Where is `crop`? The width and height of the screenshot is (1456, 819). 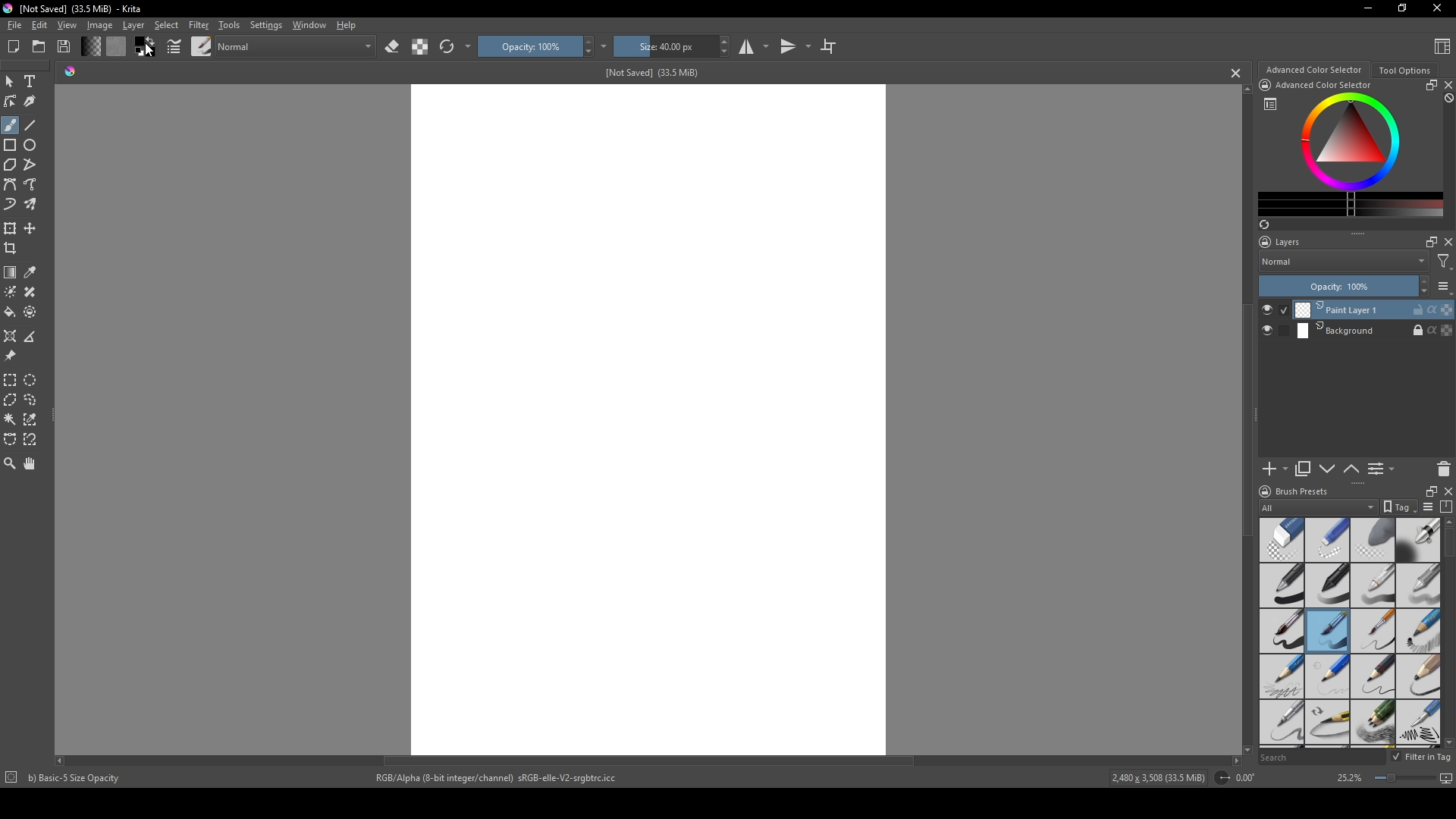
crop is located at coordinates (14, 248).